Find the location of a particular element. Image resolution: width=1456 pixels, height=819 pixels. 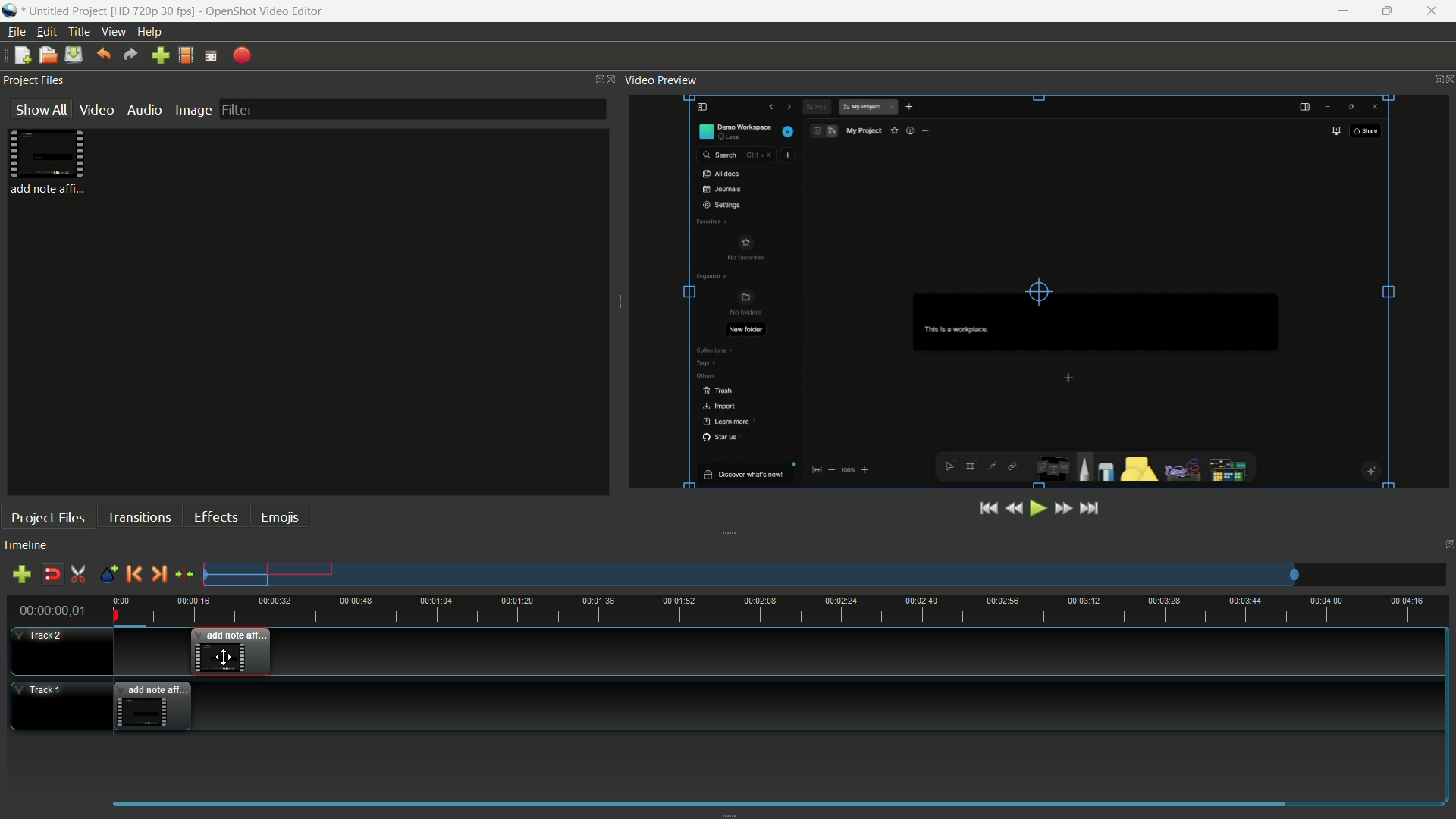

center the timeline on the playhead is located at coordinates (184, 573).